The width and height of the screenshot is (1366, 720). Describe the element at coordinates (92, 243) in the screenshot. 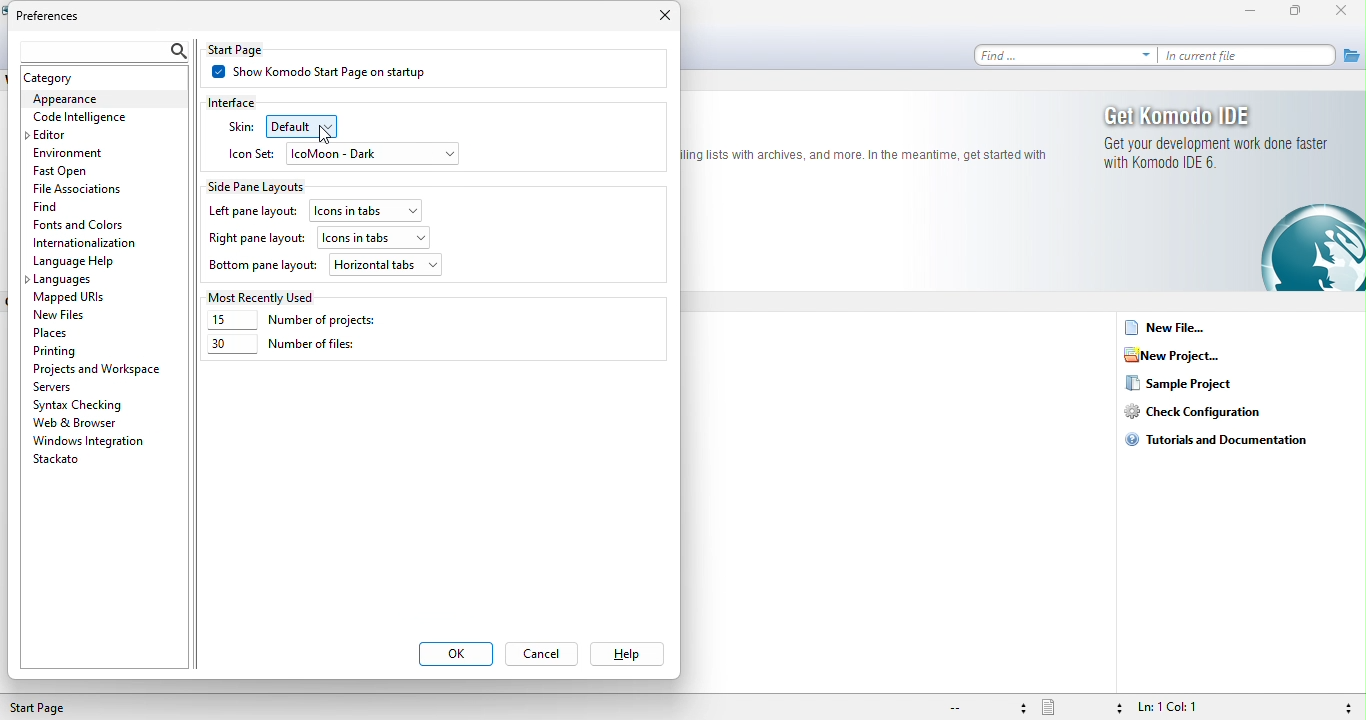

I see `internationalization` at that location.